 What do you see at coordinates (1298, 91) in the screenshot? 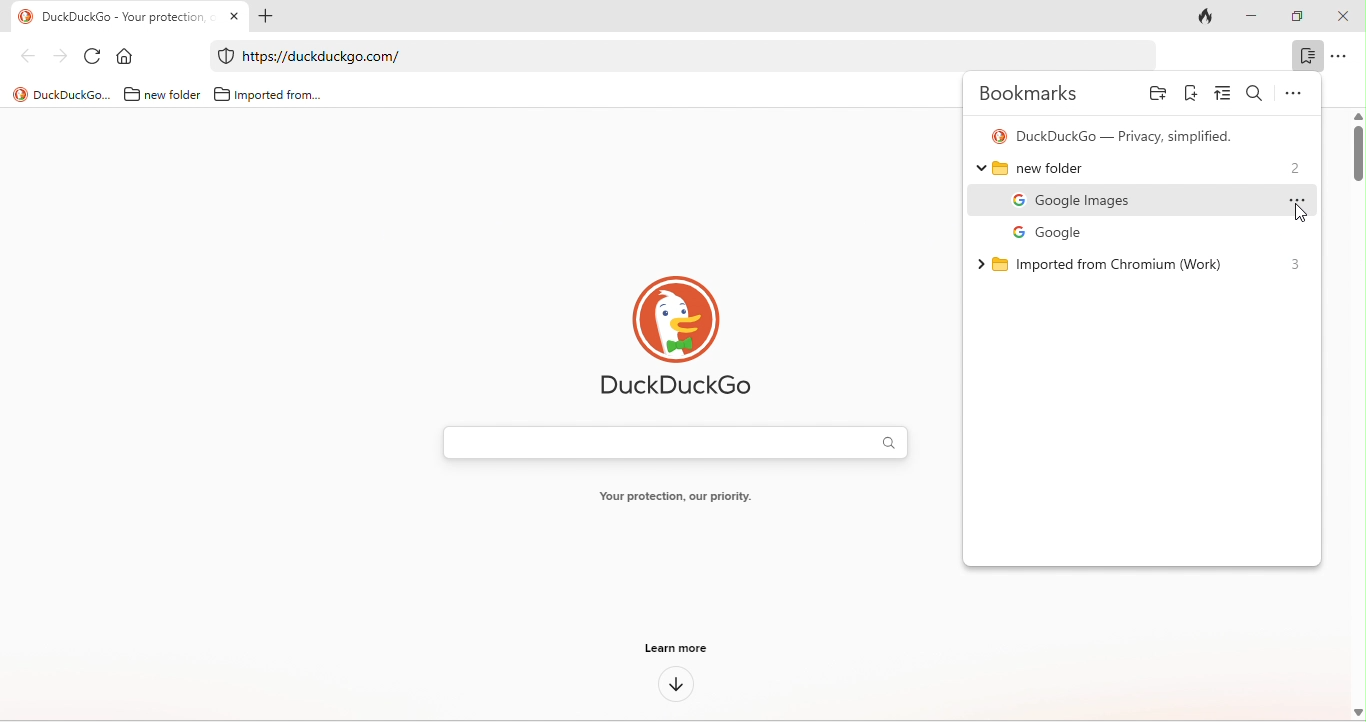
I see `options` at bounding box center [1298, 91].